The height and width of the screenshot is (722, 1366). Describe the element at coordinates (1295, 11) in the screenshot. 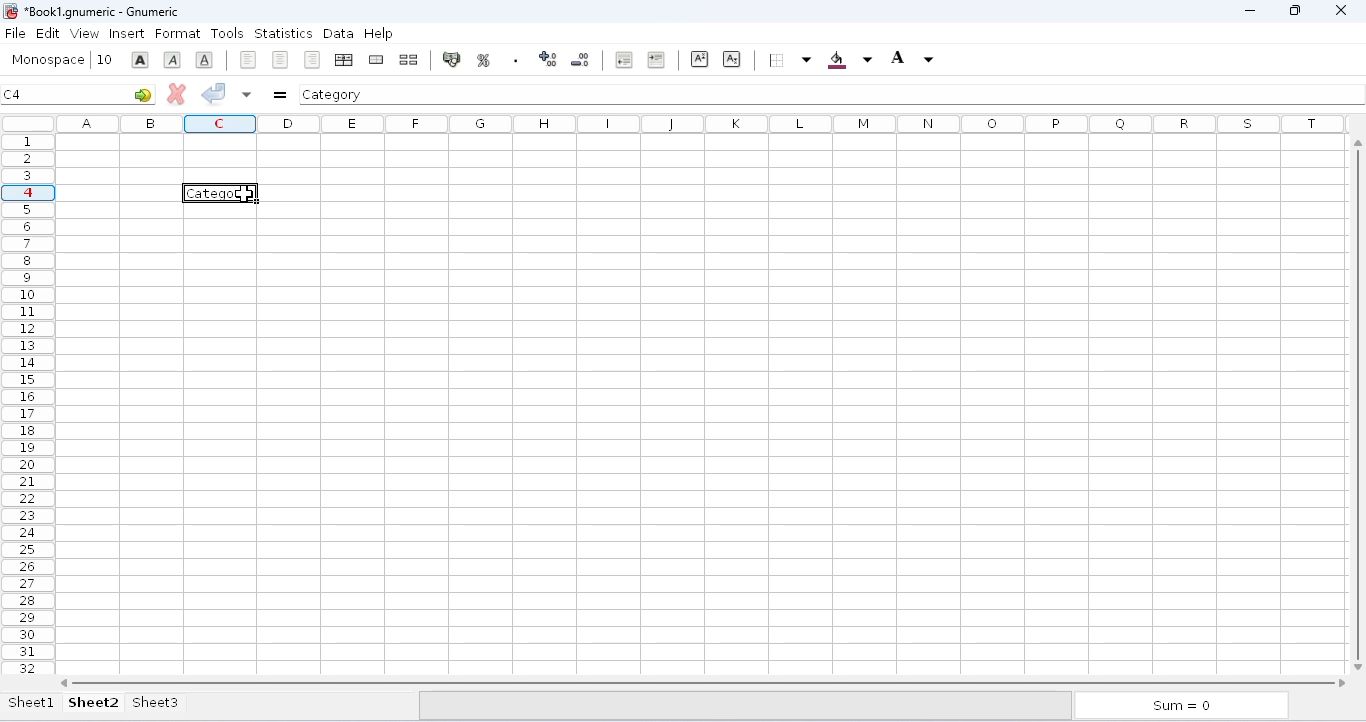

I see `maximize` at that location.